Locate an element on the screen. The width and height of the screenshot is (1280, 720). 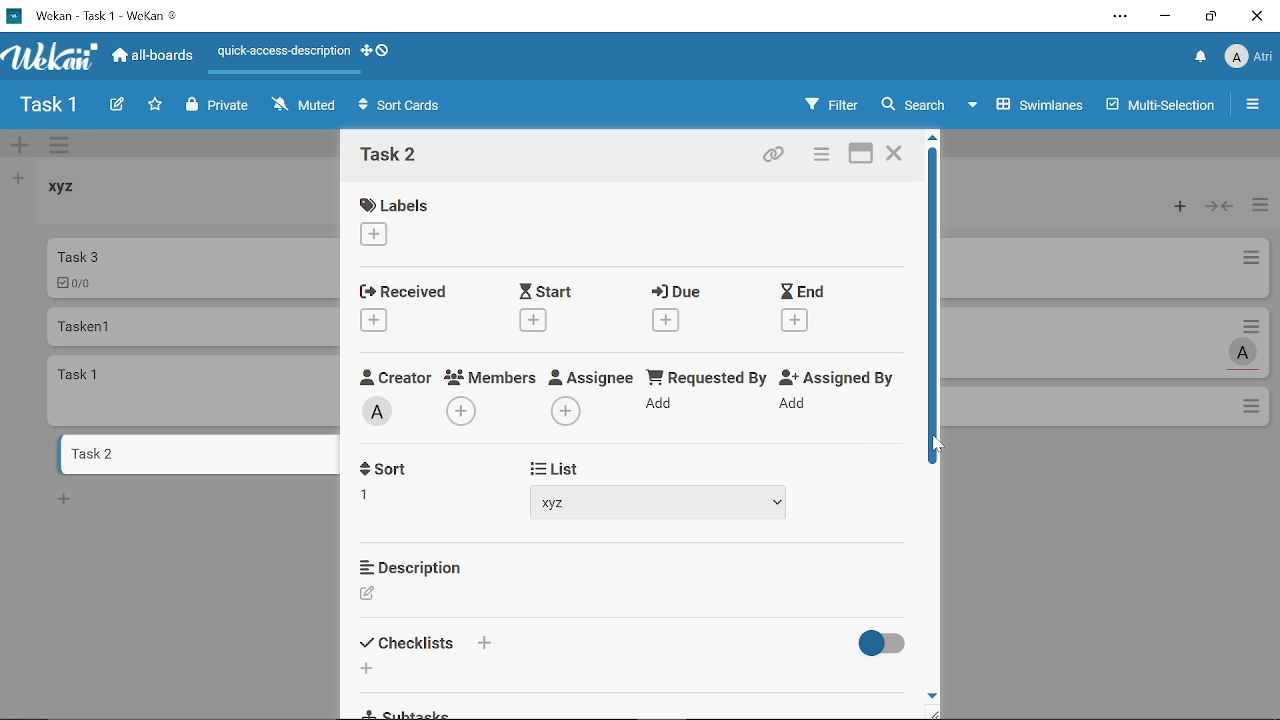
Add list is located at coordinates (658, 500).